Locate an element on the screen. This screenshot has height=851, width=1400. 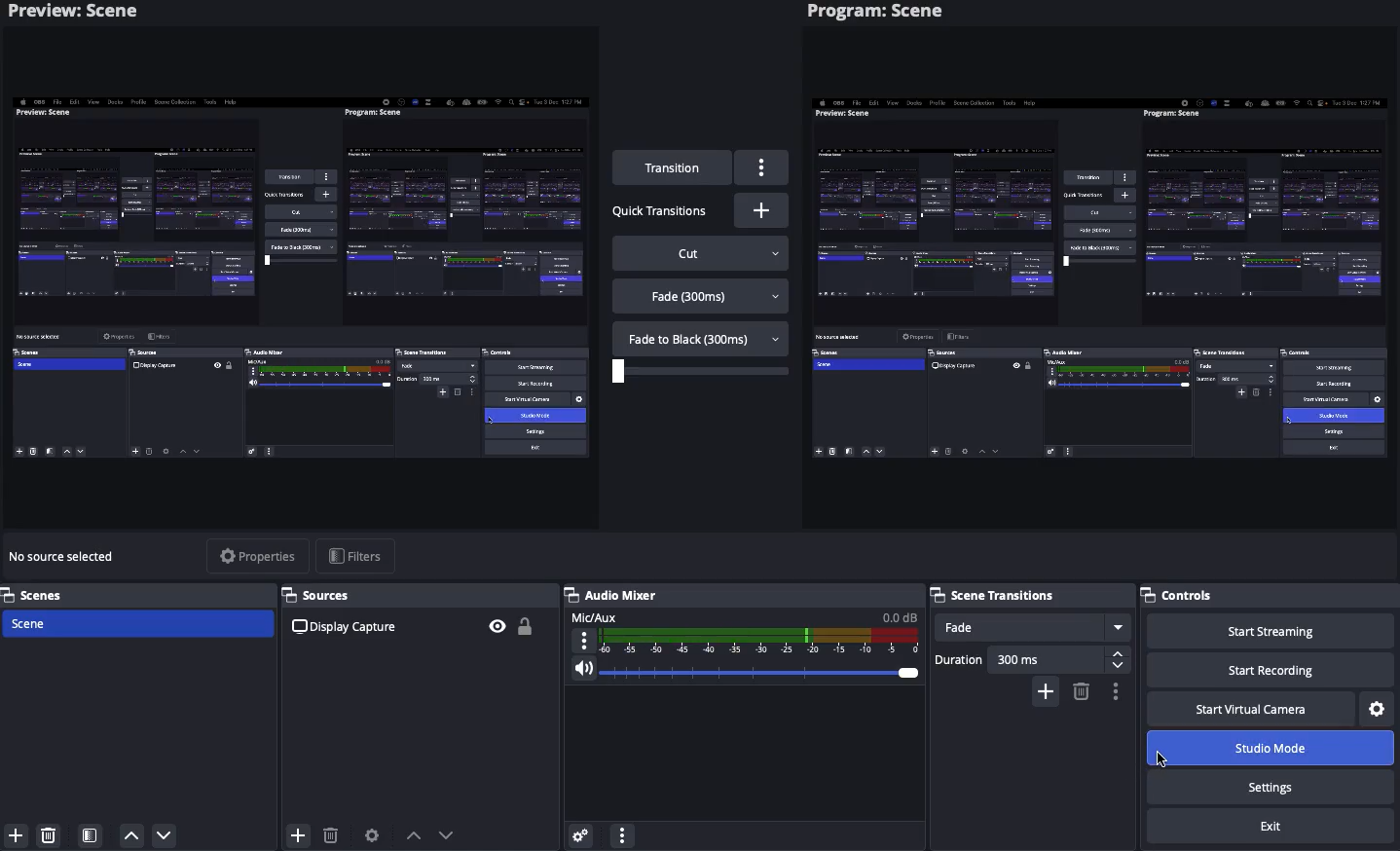
delete is located at coordinates (55, 836).